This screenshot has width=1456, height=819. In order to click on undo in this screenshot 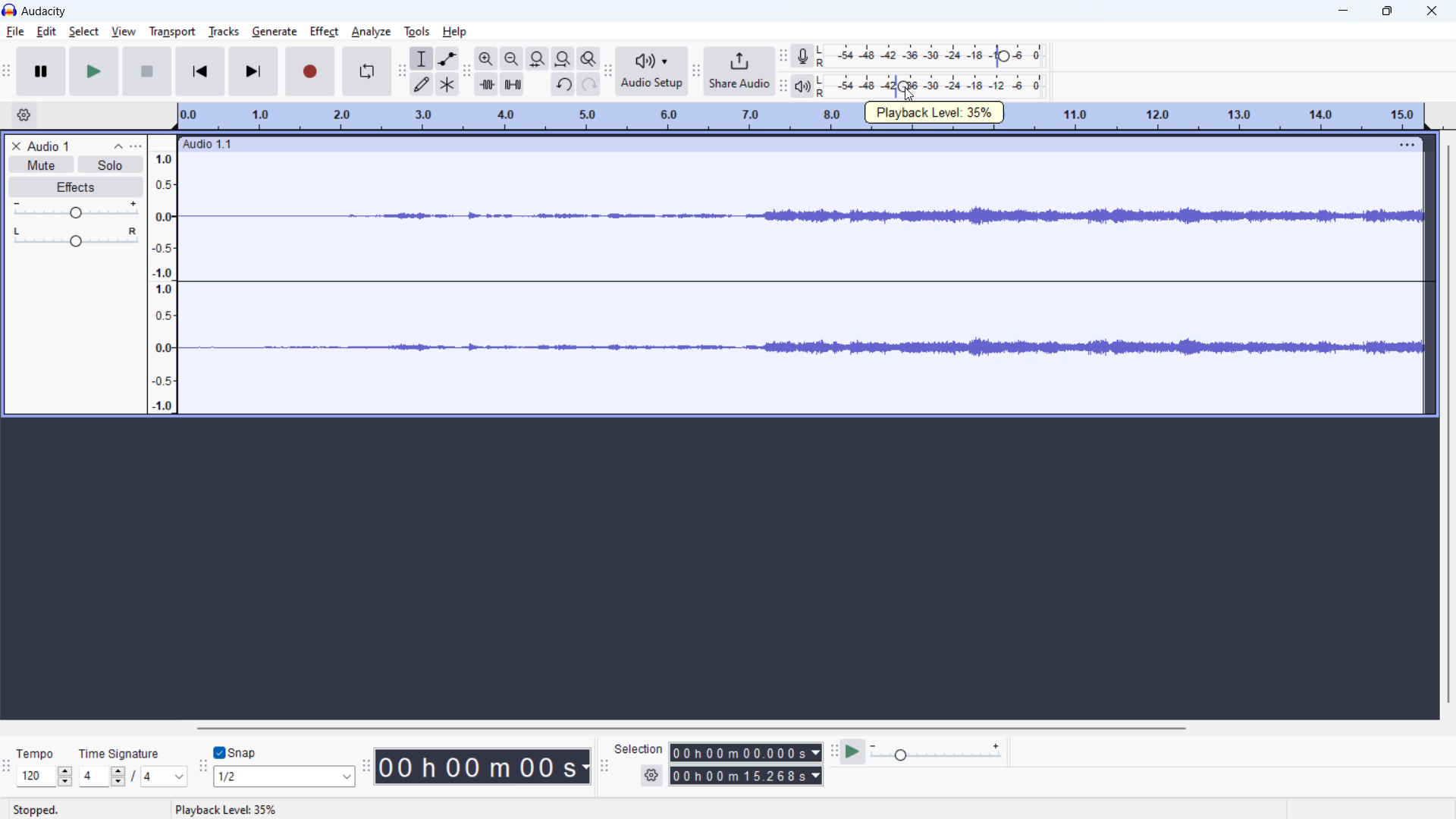, I will do `click(563, 84)`.